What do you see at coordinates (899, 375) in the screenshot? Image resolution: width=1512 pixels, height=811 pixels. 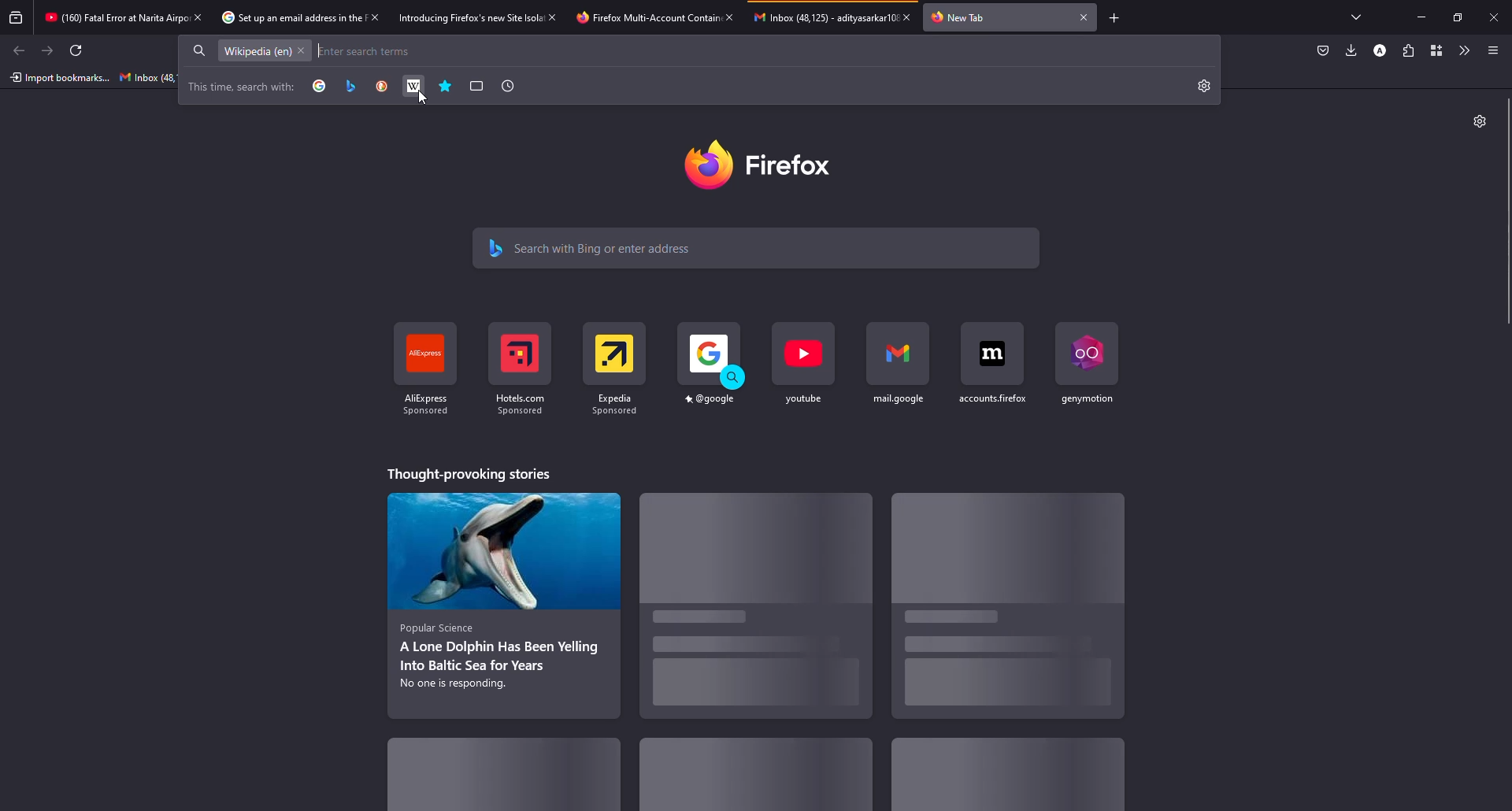 I see `shortcut` at bounding box center [899, 375].